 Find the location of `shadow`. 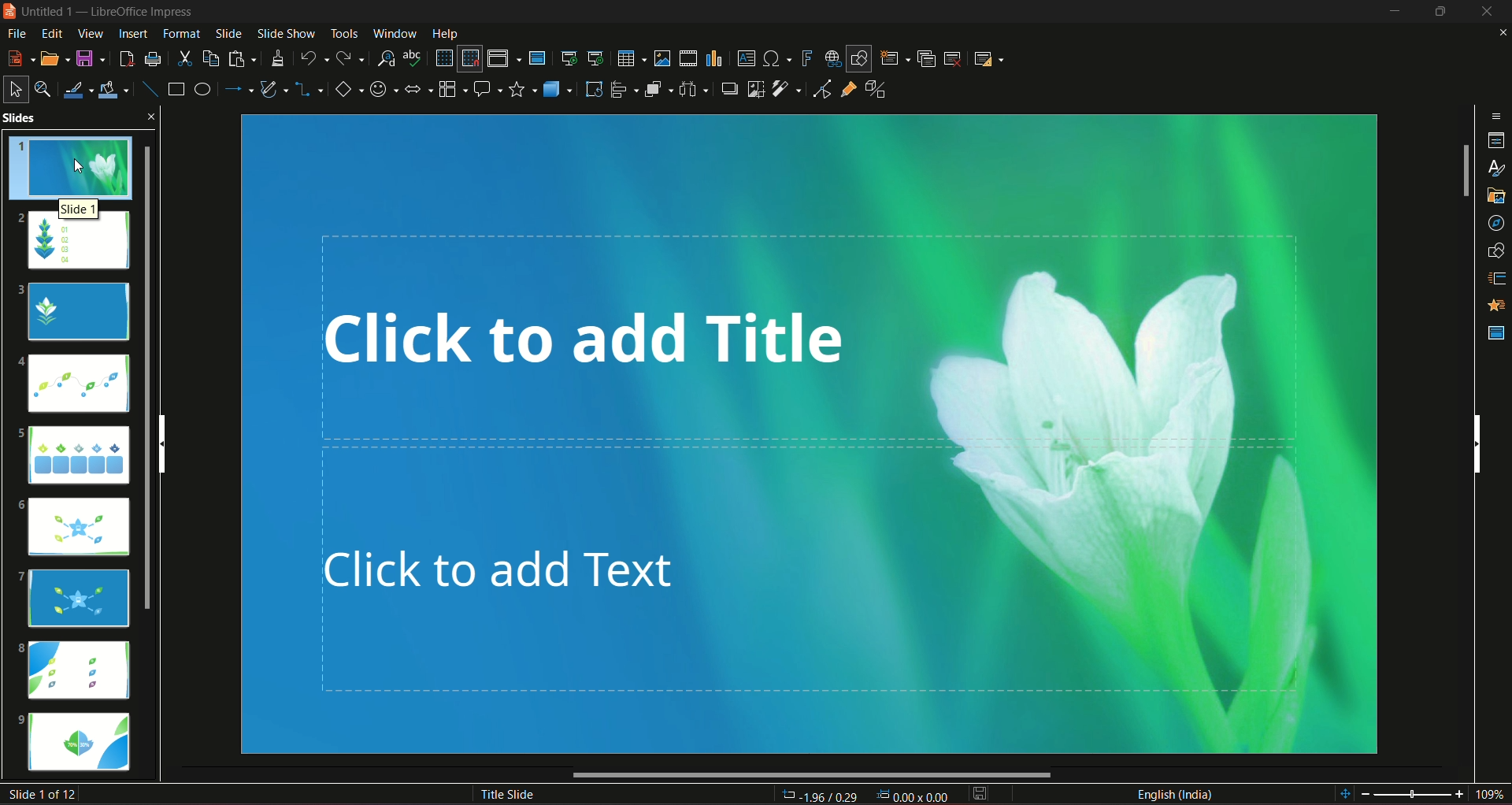

shadow is located at coordinates (729, 89).